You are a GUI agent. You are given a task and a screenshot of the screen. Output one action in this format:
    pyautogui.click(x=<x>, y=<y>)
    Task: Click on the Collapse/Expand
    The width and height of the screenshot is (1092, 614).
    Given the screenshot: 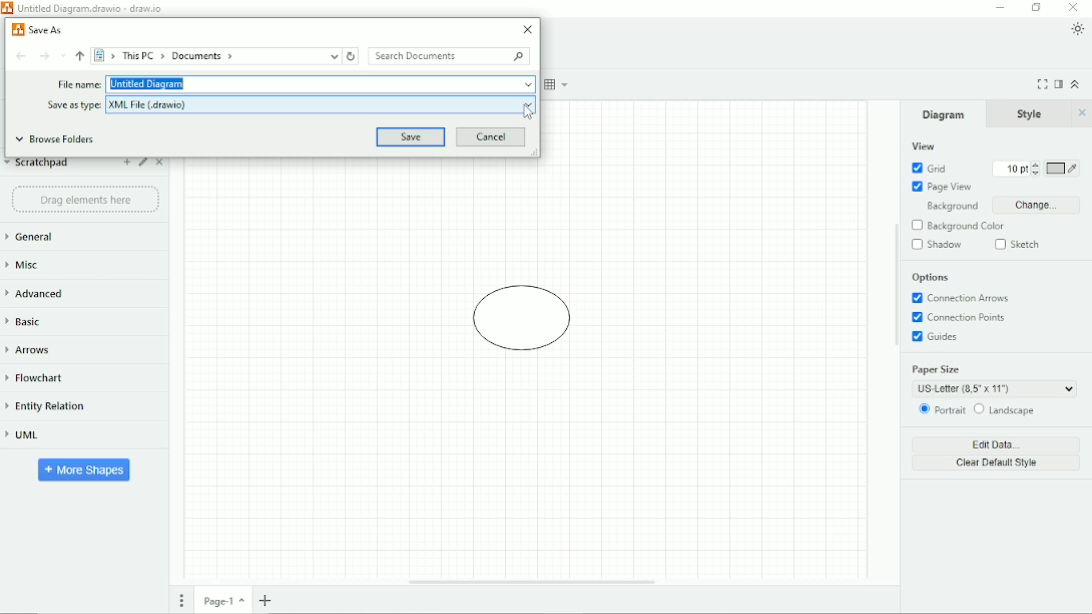 What is the action you would take?
    pyautogui.click(x=1077, y=84)
    